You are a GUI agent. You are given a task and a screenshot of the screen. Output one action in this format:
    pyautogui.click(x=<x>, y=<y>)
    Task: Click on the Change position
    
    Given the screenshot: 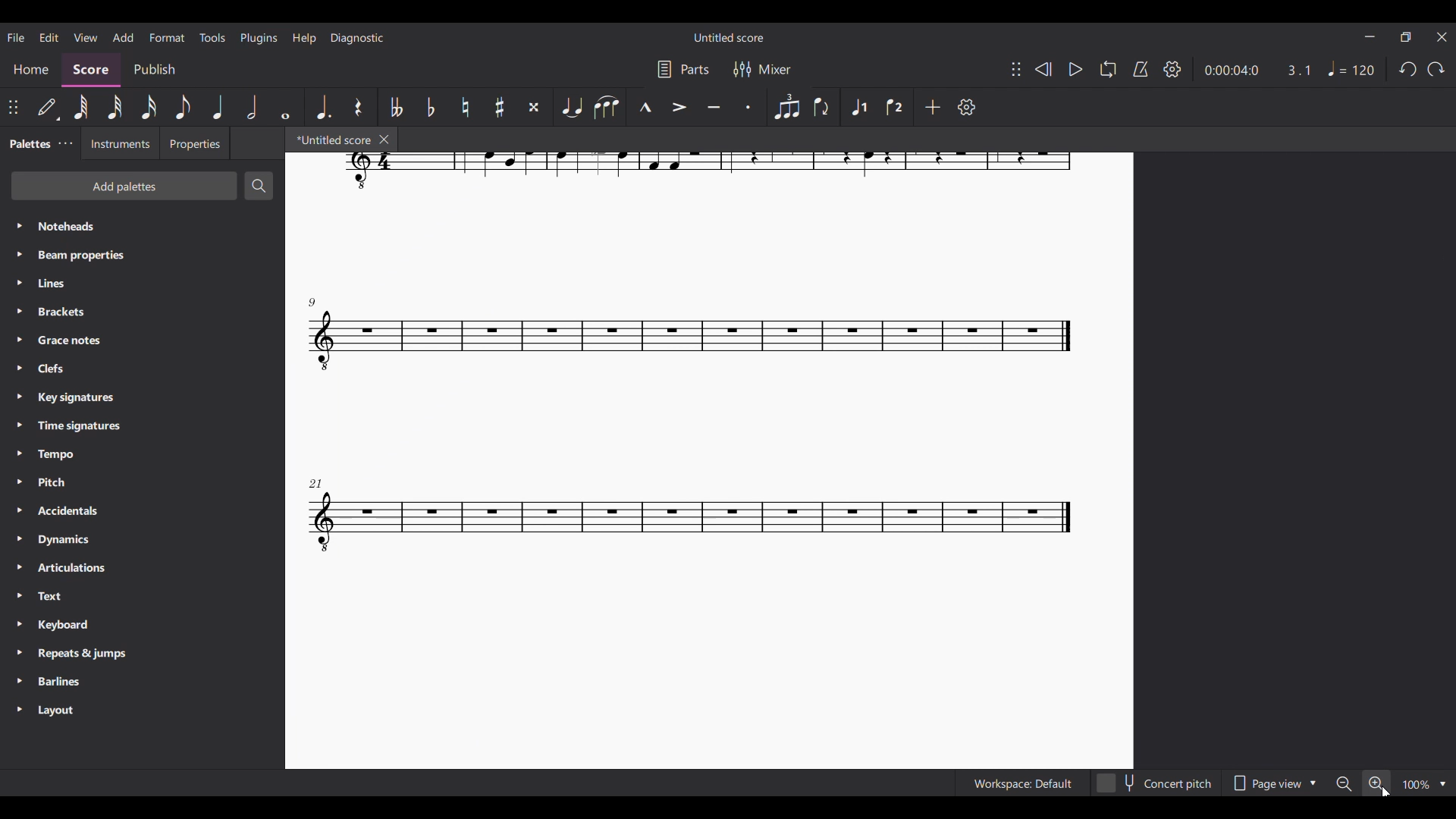 What is the action you would take?
    pyautogui.click(x=14, y=107)
    